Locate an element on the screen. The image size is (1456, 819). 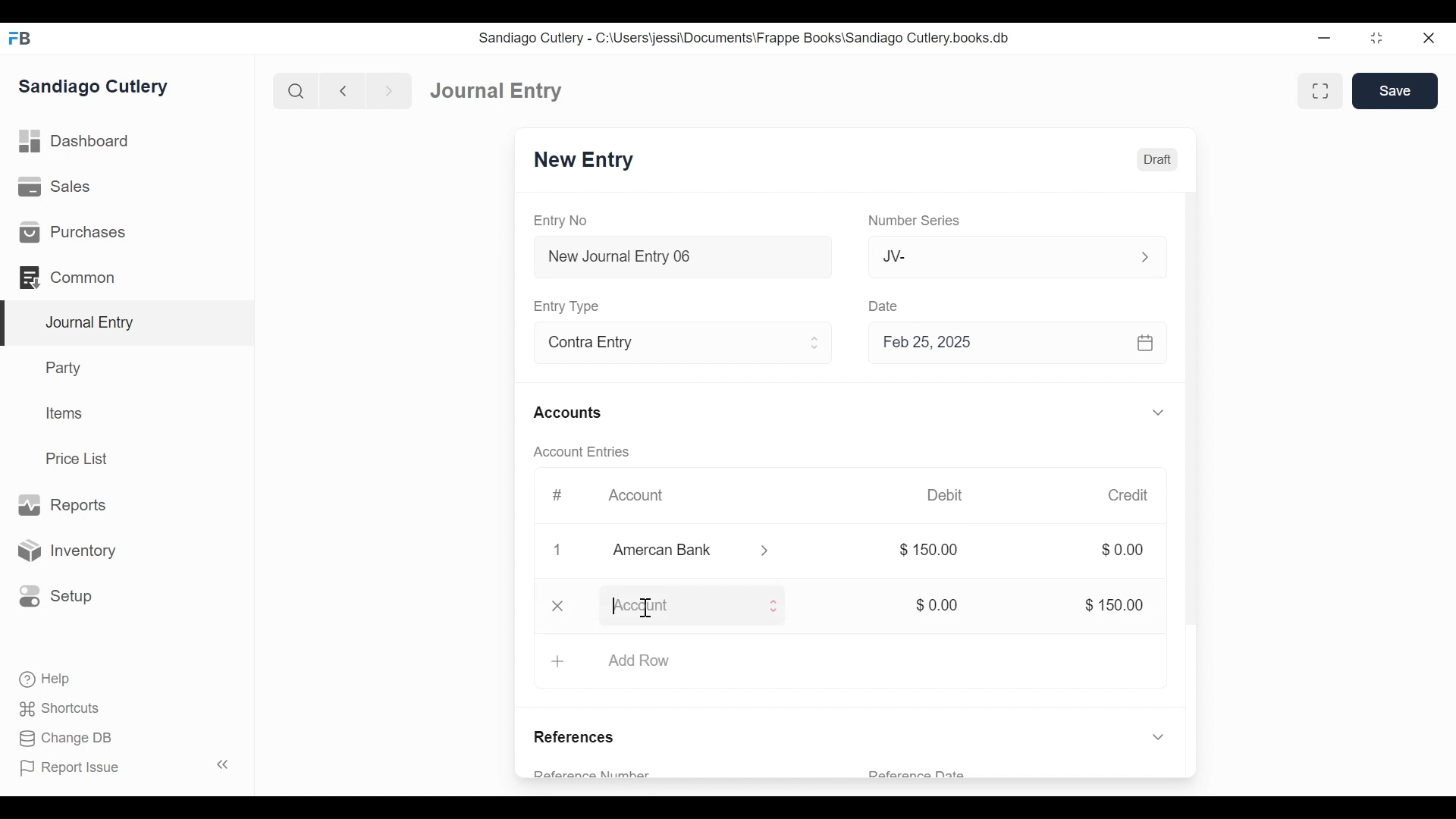
+ is located at coordinates (557, 661).